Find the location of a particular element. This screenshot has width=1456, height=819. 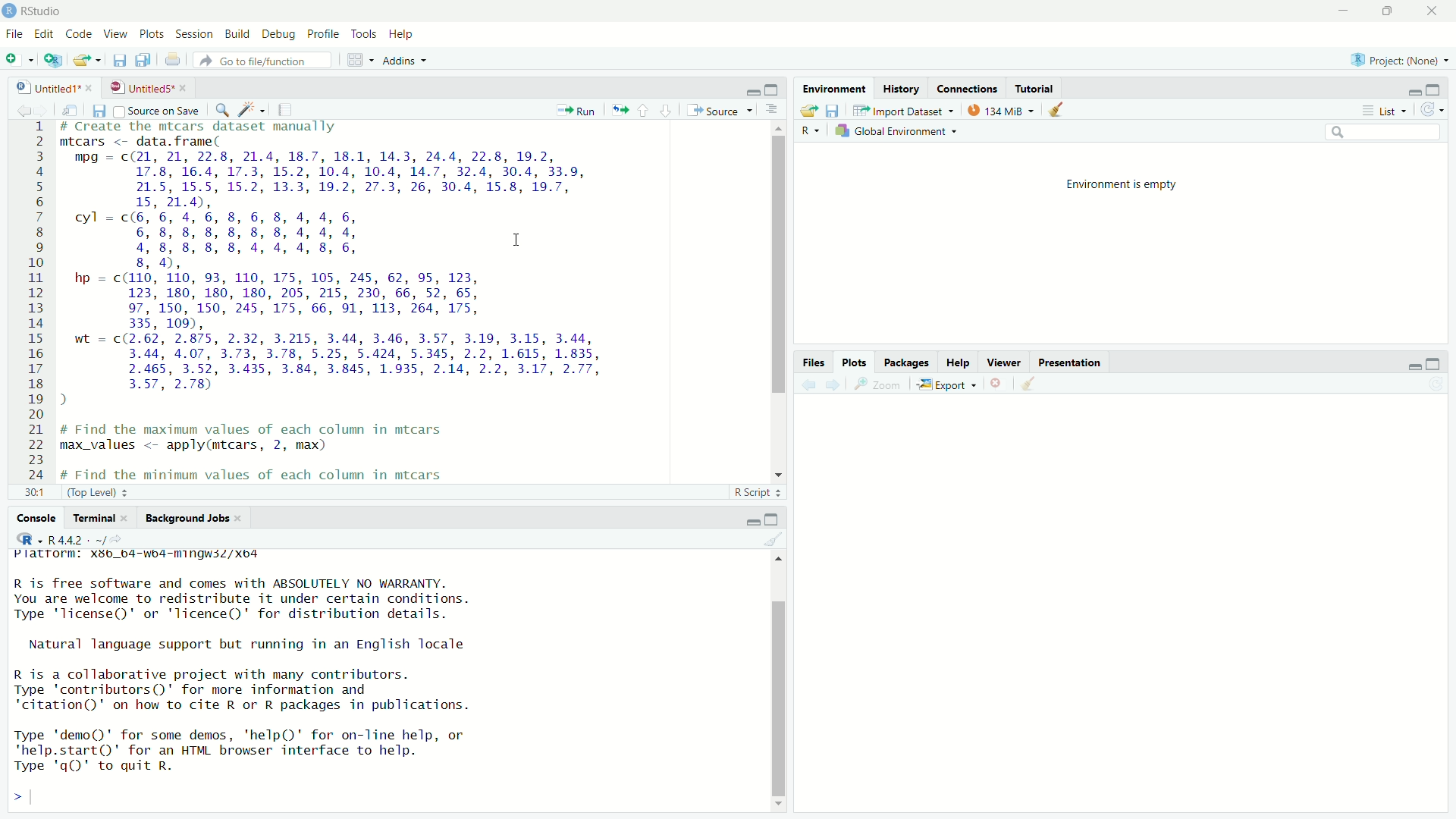

| Untitled5* * is located at coordinates (146, 87).